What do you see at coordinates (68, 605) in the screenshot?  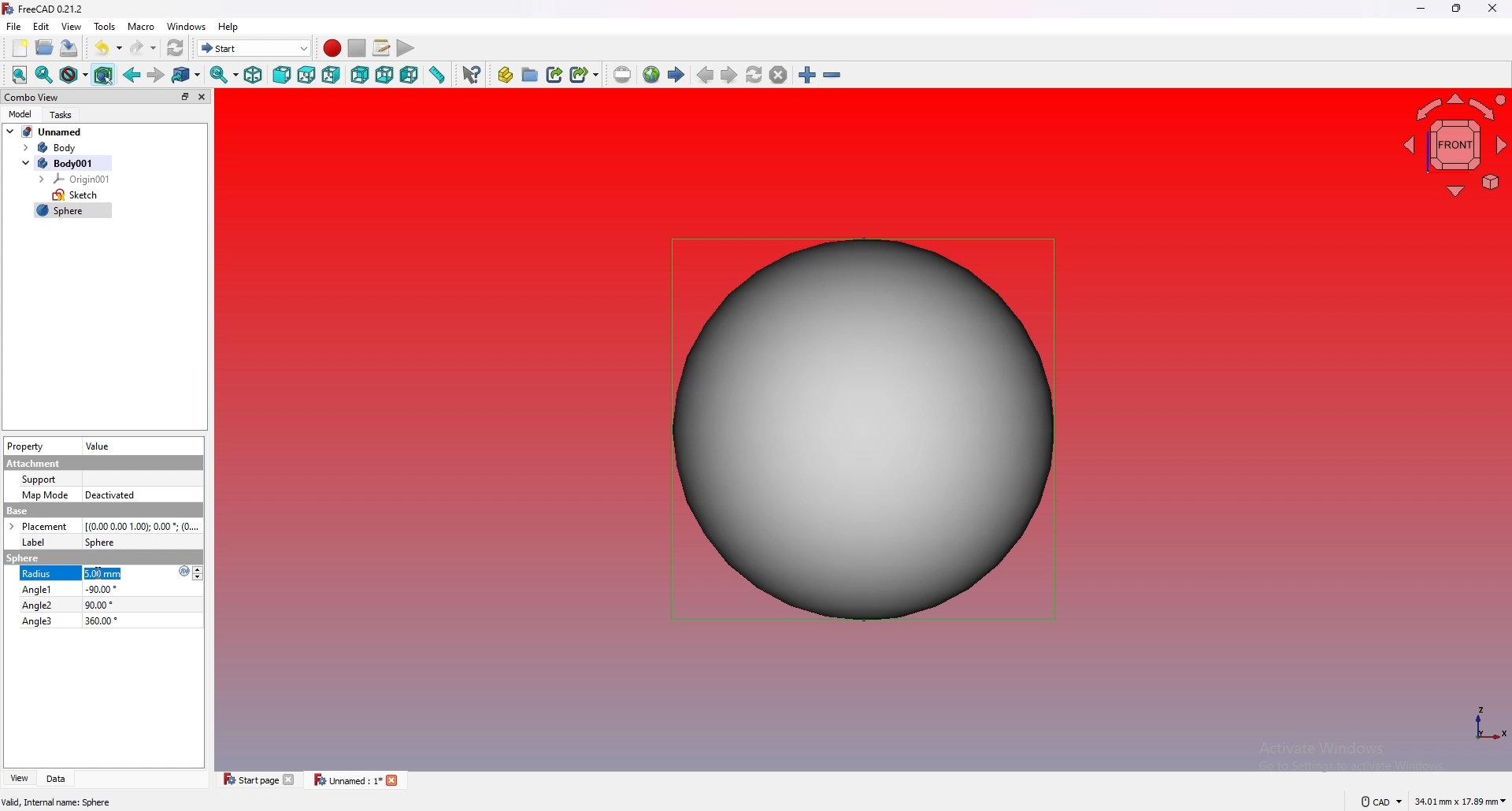 I see `angle 2 90 degree` at bounding box center [68, 605].